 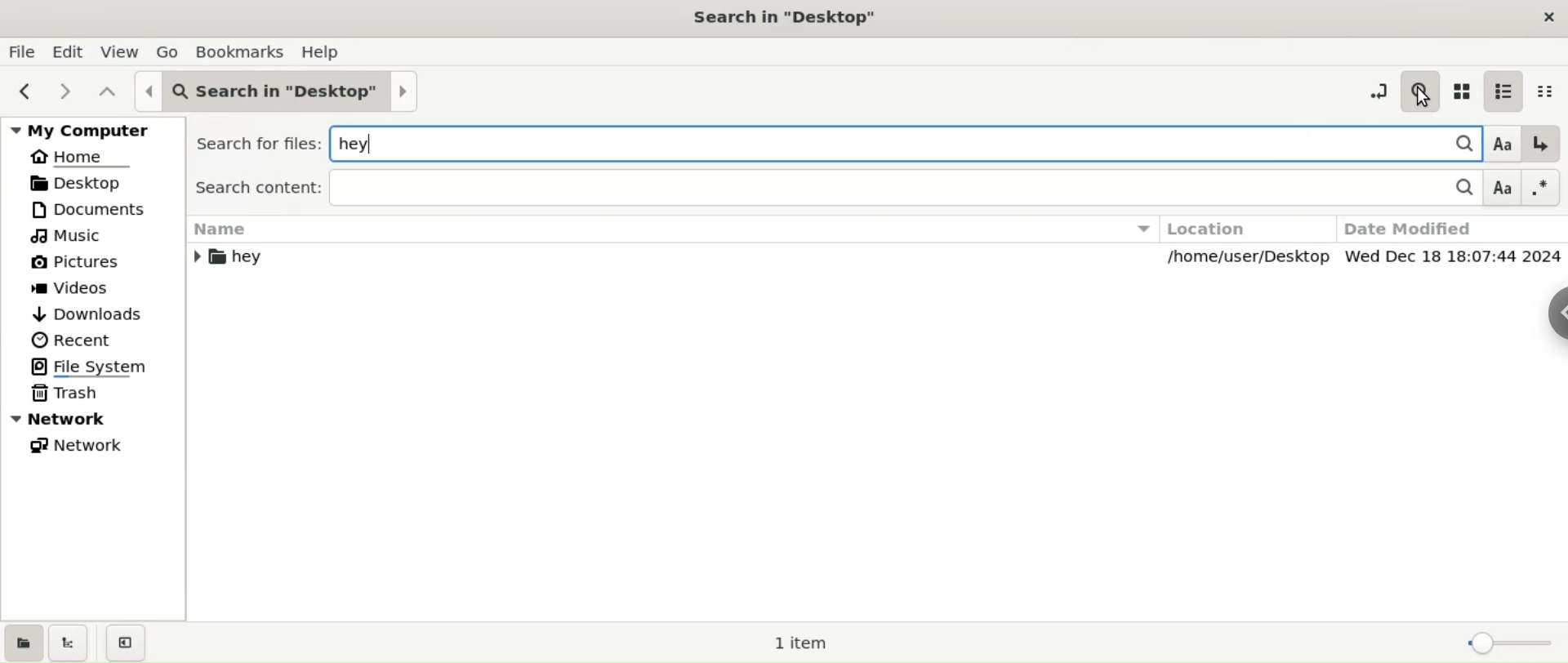 What do you see at coordinates (326, 93) in the screenshot?
I see `desktop` at bounding box center [326, 93].